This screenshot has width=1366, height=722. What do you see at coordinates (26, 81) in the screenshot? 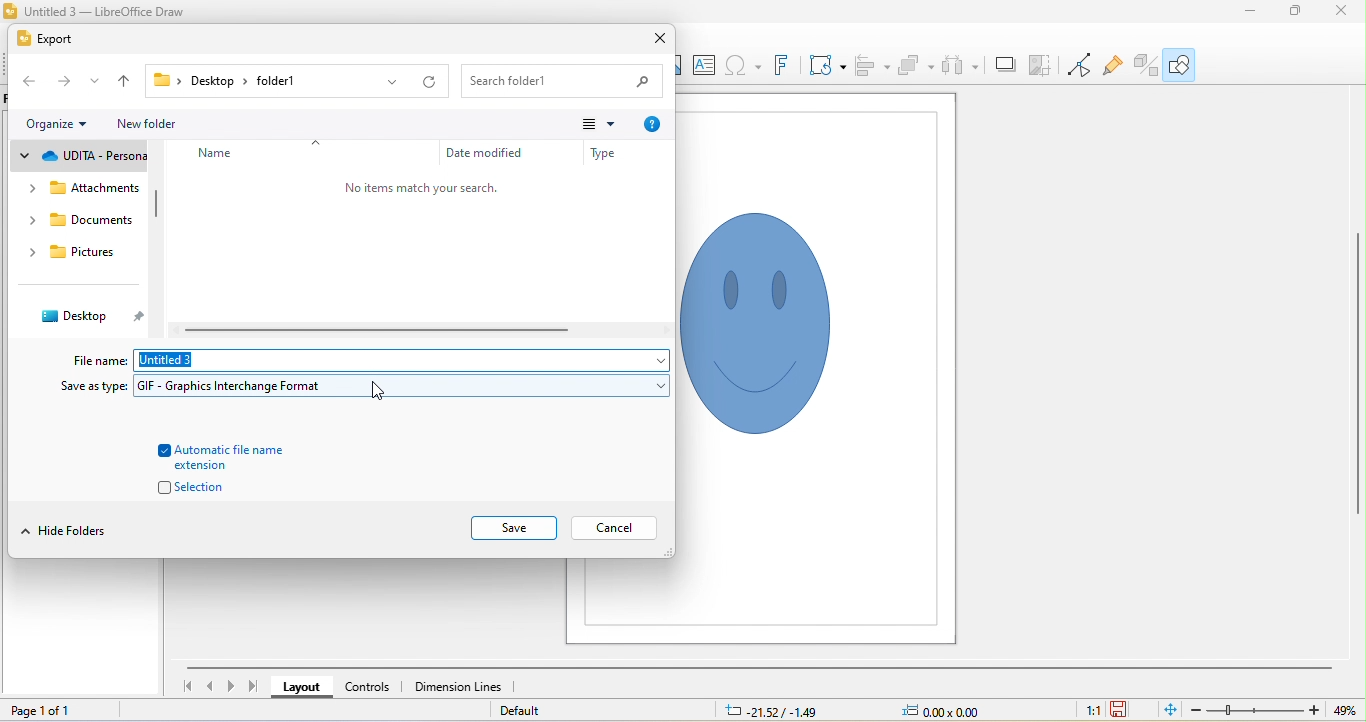
I see `back` at bounding box center [26, 81].